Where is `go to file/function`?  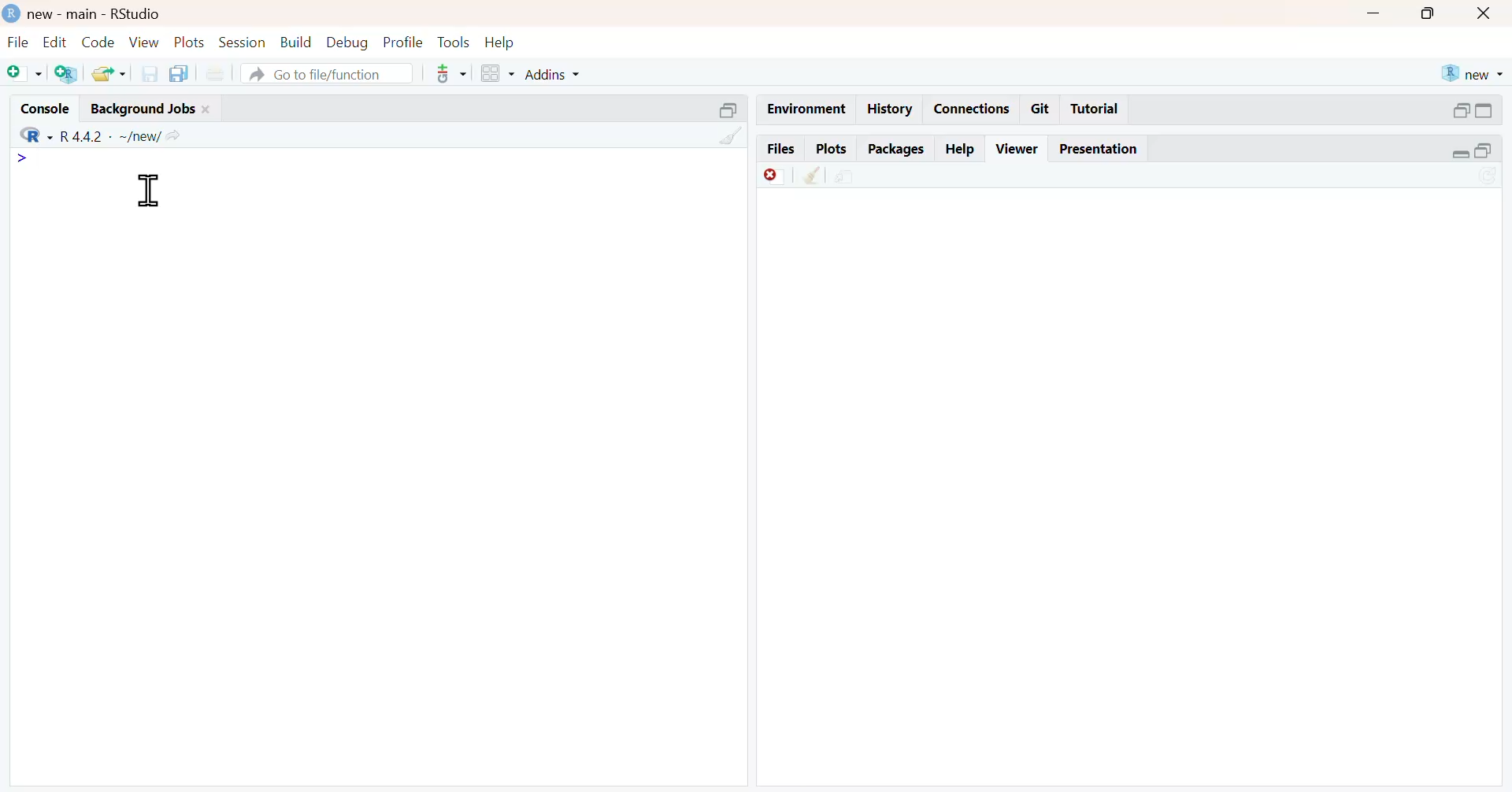
go to file/function is located at coordinates (328, 75).